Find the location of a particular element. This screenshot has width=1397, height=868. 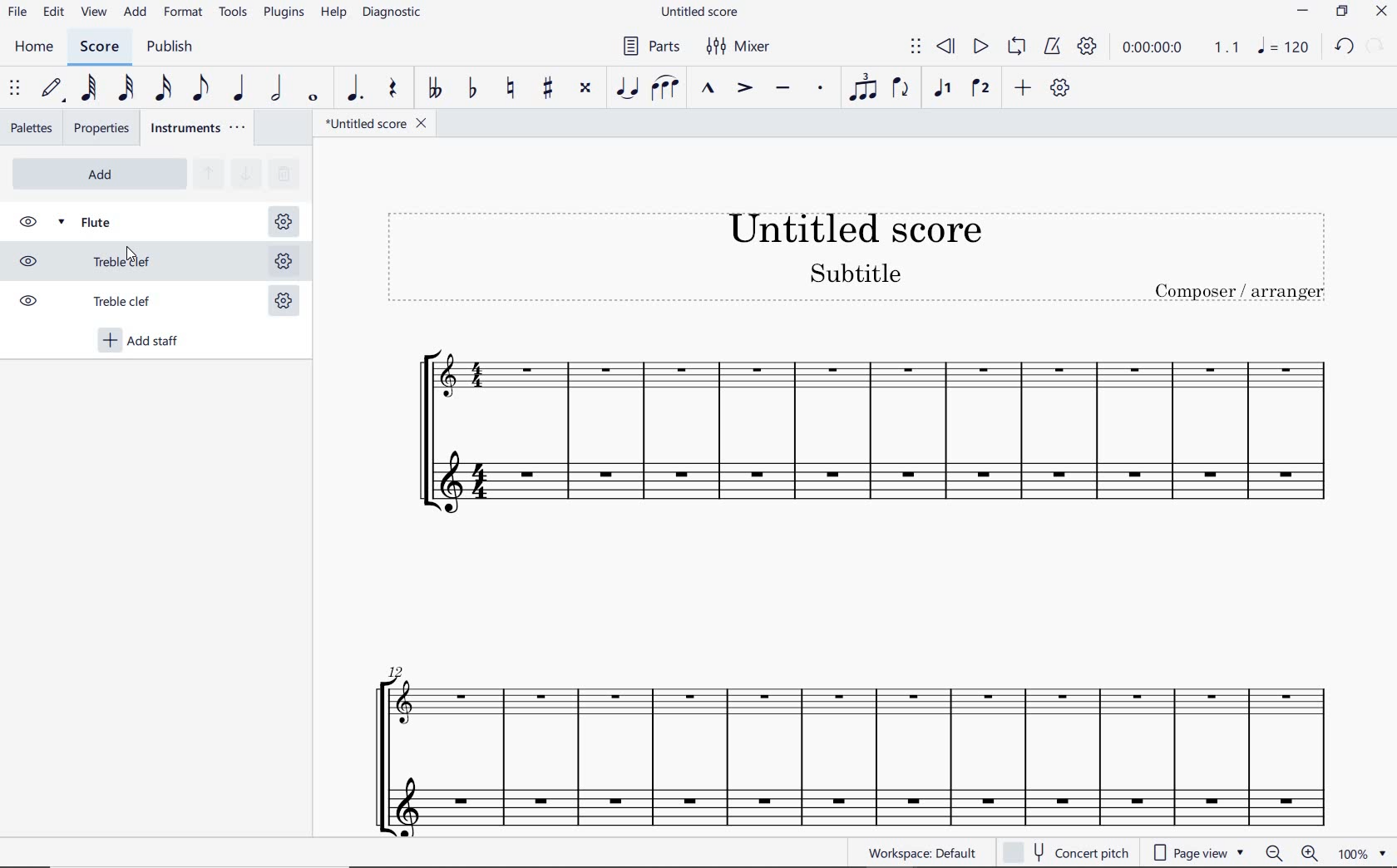

TUPLET is located at coordinates (858, 89).